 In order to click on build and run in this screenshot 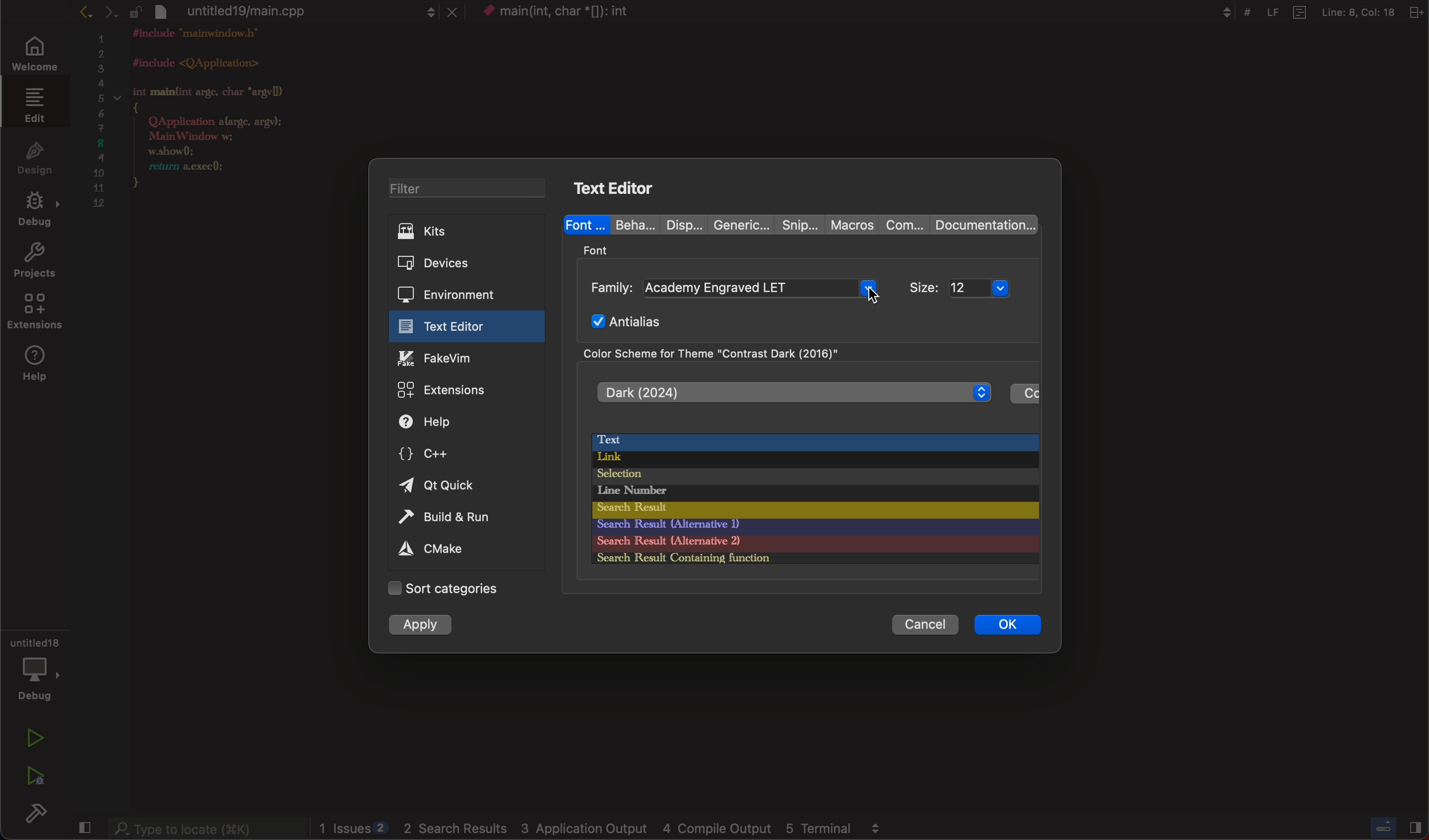, I will do `click(458, 519)`.